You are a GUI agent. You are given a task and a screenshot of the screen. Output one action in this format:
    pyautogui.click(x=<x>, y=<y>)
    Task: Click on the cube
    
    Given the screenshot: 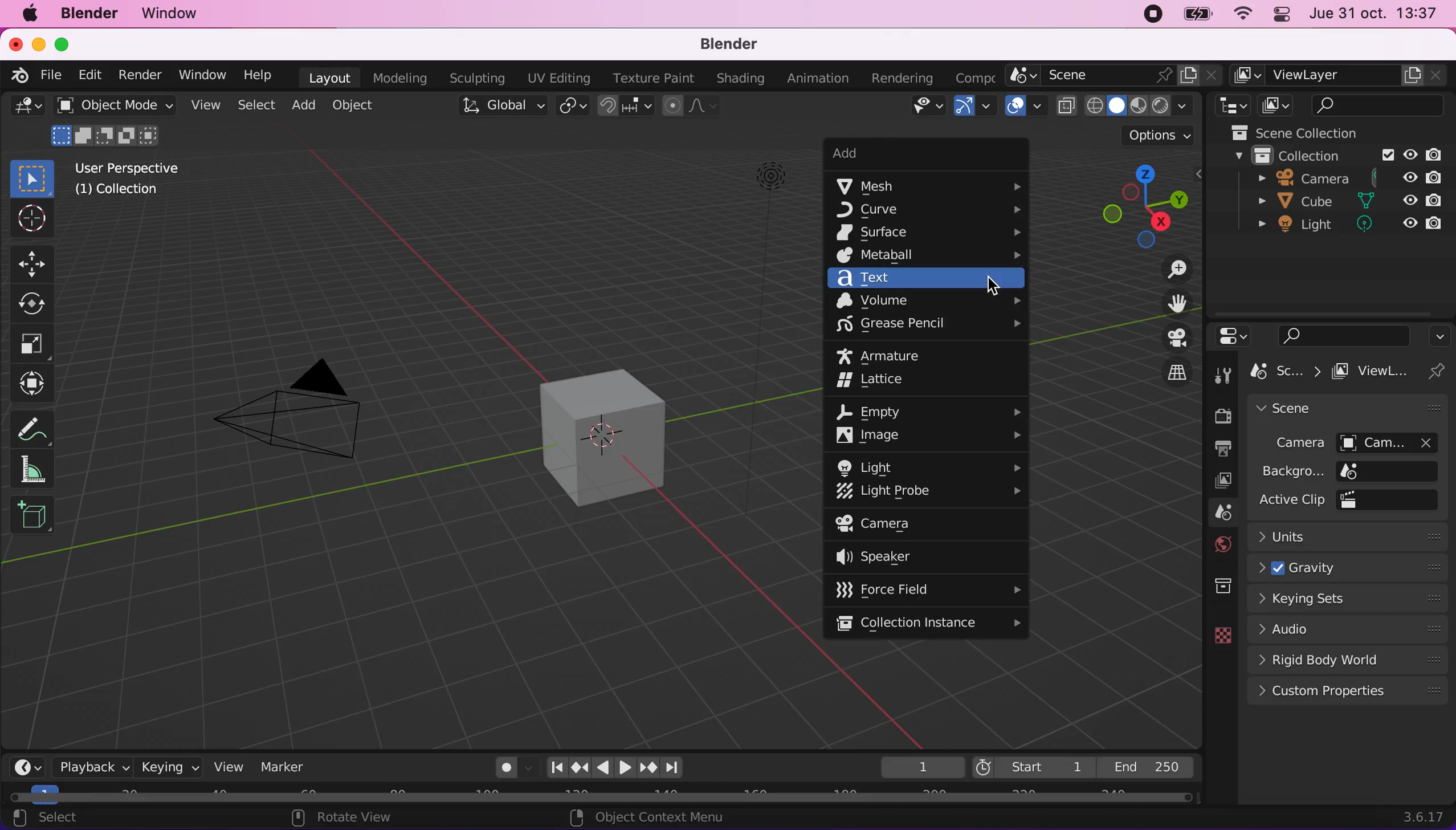 What is the action you would take?
    pyautogui.click(x=1346, y=201)
    